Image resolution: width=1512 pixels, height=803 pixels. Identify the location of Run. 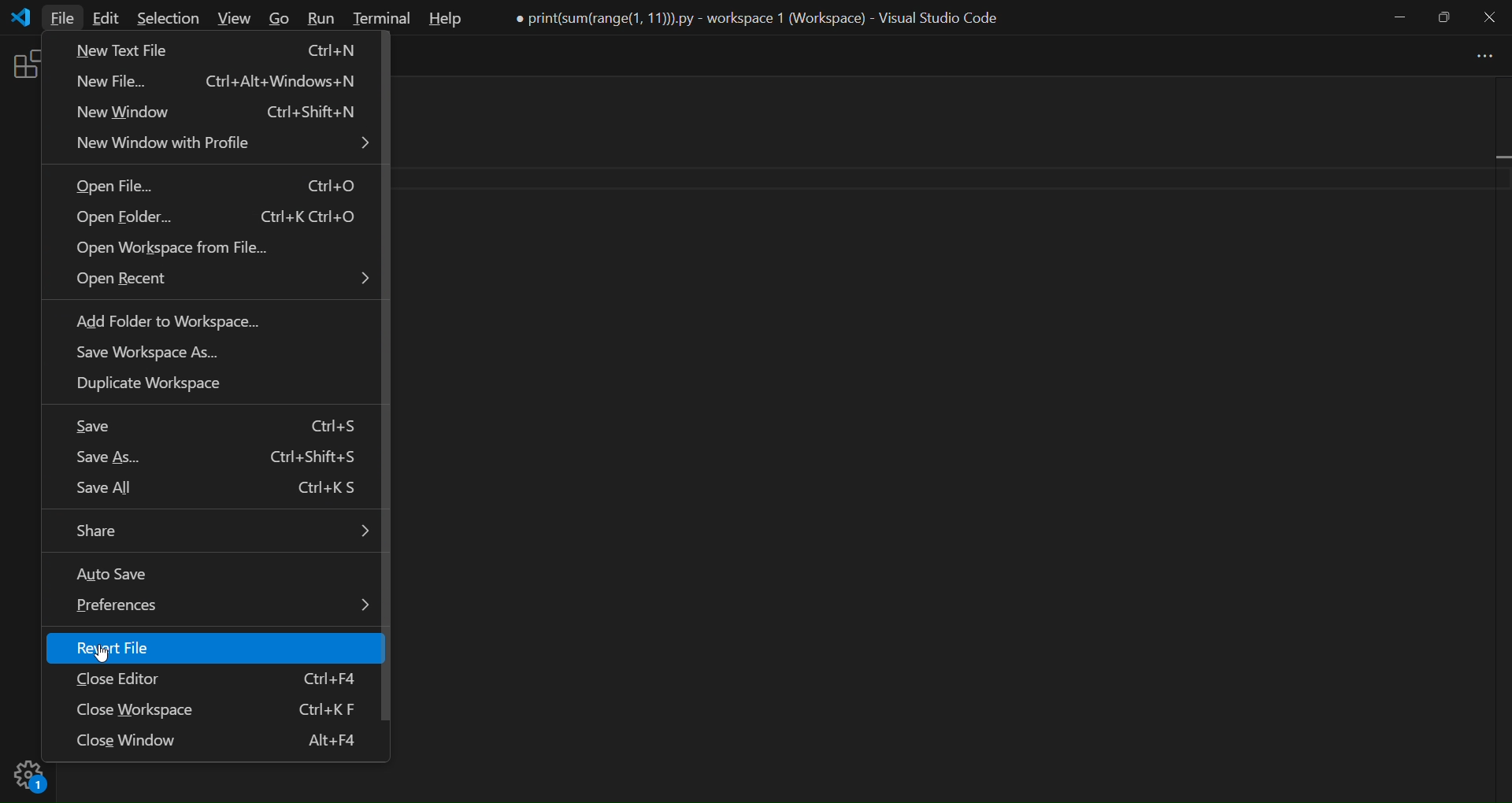
(322, 18).